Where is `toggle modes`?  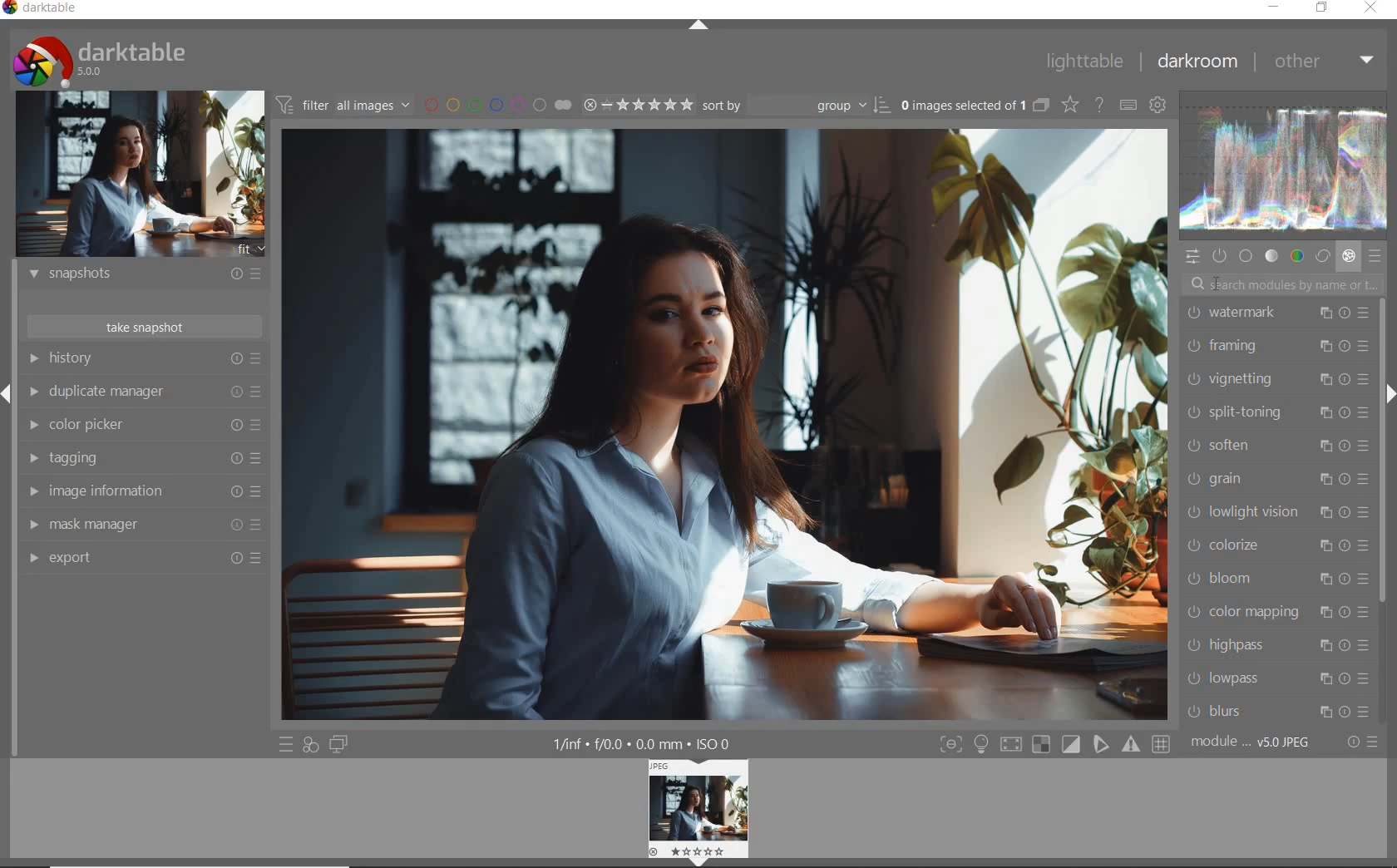 toggle modes is located at coordinates (1055, 744).